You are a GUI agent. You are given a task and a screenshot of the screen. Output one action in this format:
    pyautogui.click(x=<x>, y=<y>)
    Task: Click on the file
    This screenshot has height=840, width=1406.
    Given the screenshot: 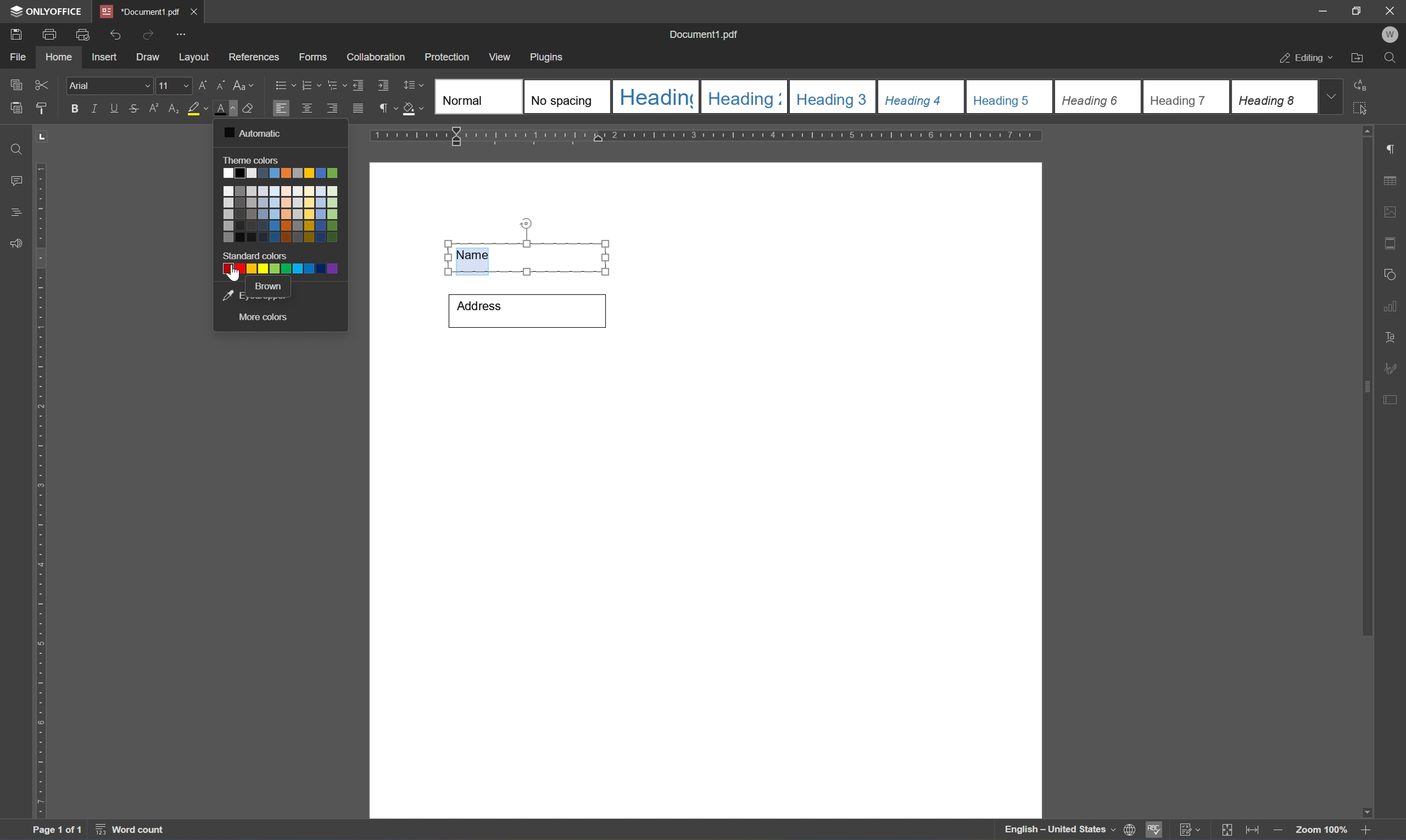 What is the action you would take?
    pyautogui.click(x=22, y=57)
    